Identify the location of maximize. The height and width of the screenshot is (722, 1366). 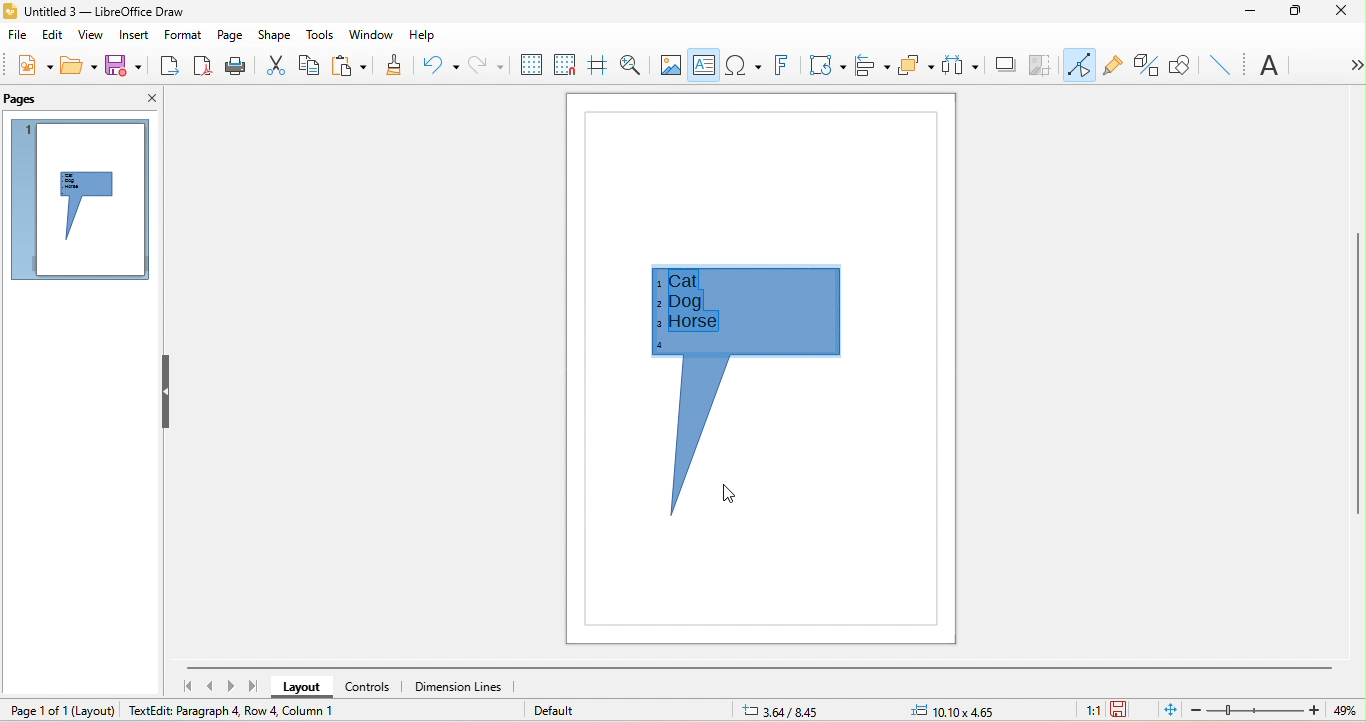
(1295, 12).